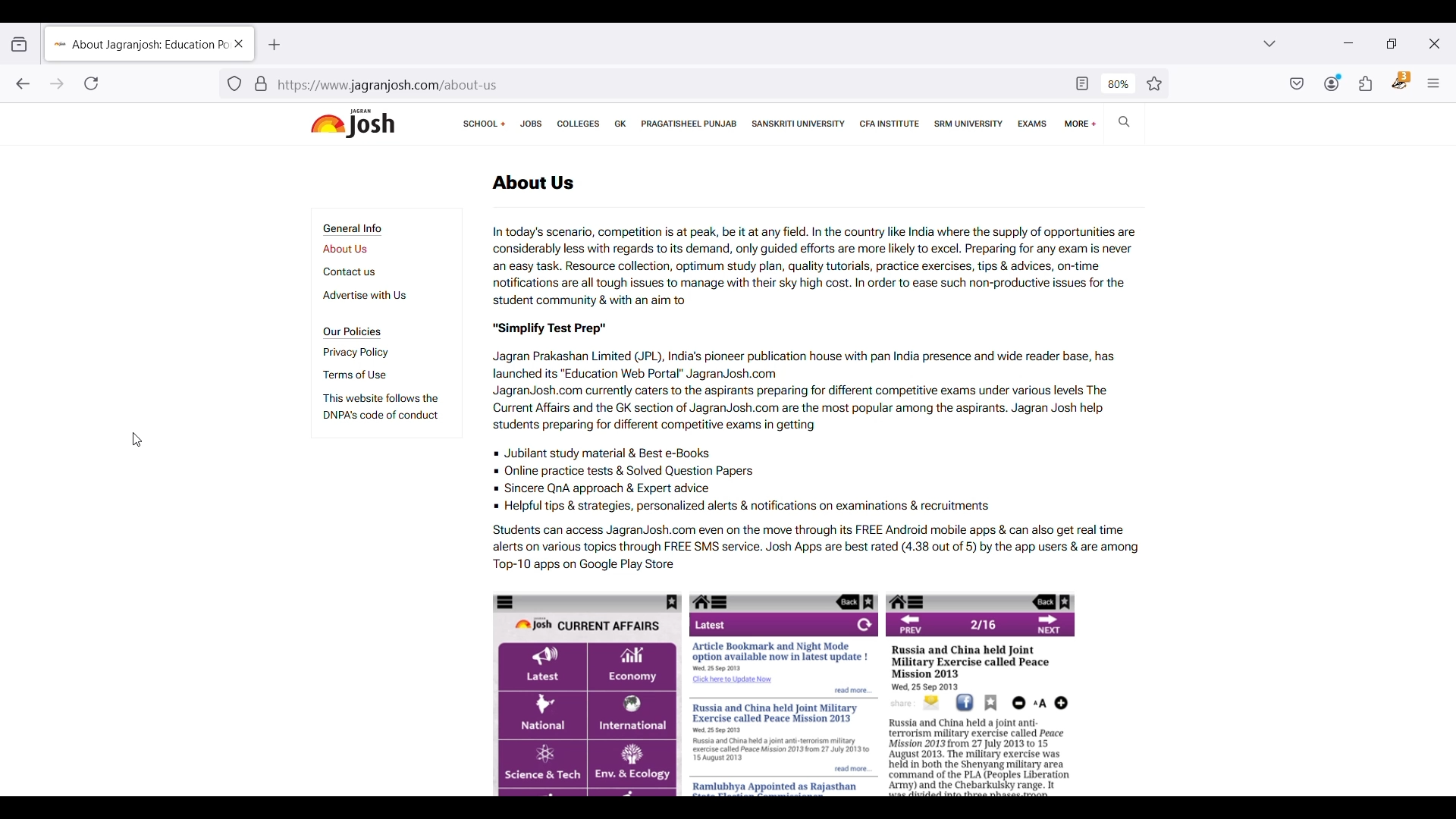 Image resolution: width=1456 pixels, height=819 pixels. I want to click on Close current page, so click(236, 43).